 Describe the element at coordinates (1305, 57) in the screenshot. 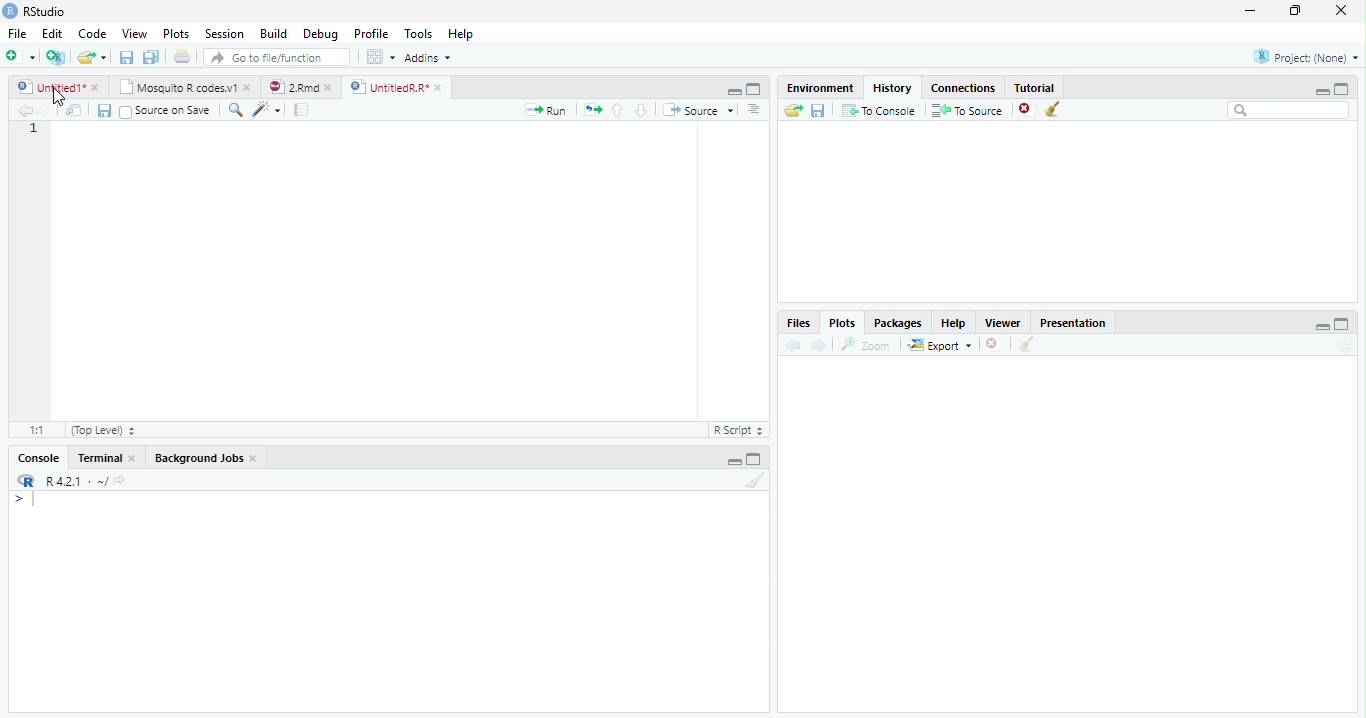

I see `Project (None)` at that location.